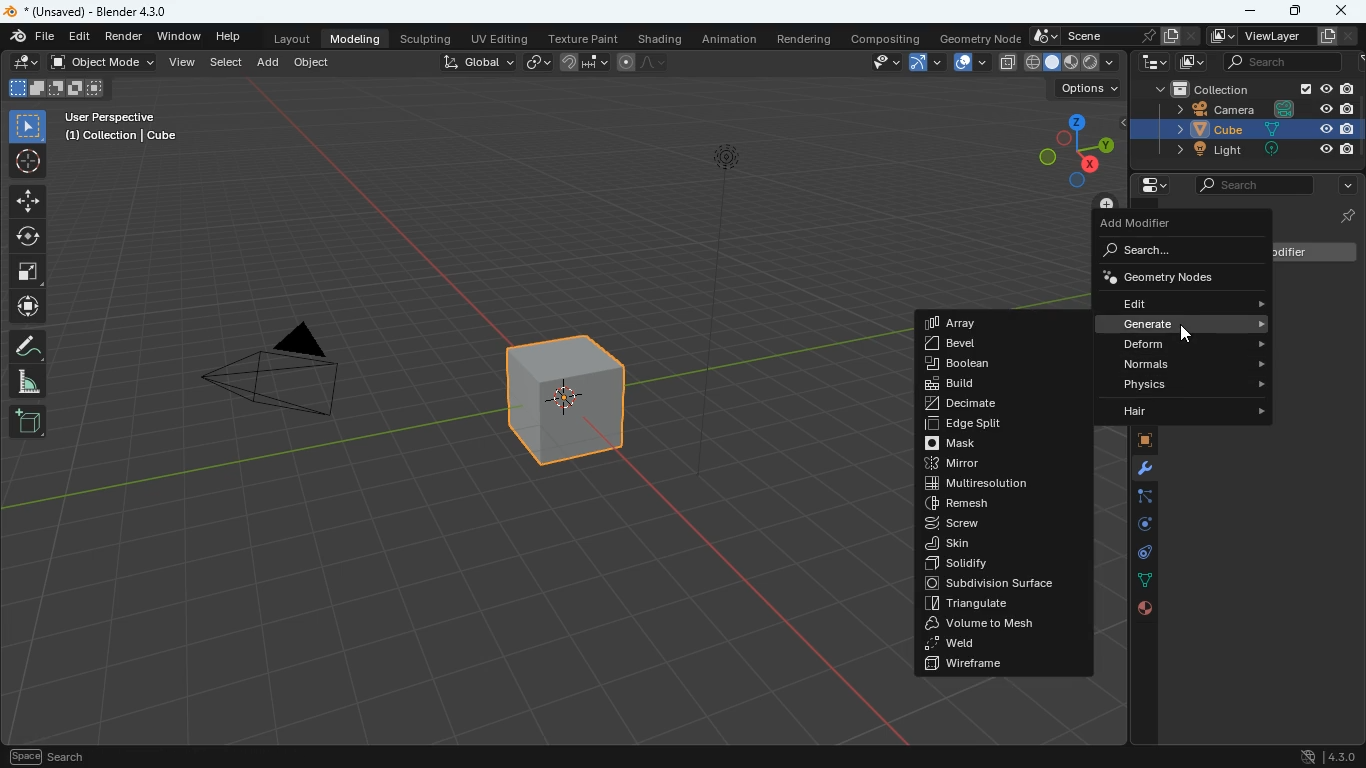 Image resolution: width=1366 pixels, height=768 pixels. Describe the element at coordinates (1190, 345) in the screenshot. I see `deform` at that location.